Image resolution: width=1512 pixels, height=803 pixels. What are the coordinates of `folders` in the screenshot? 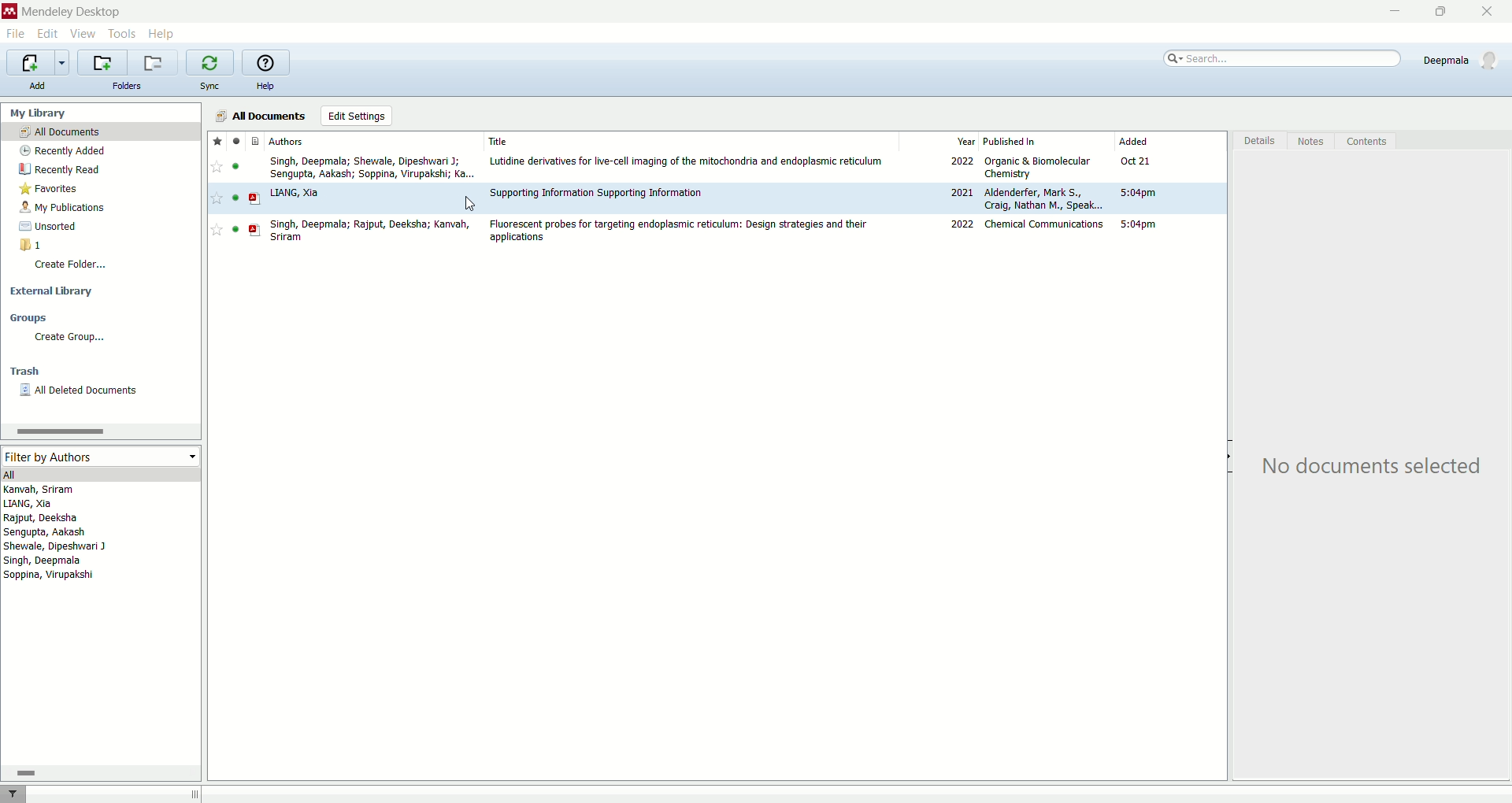 It's located at (129, 87).